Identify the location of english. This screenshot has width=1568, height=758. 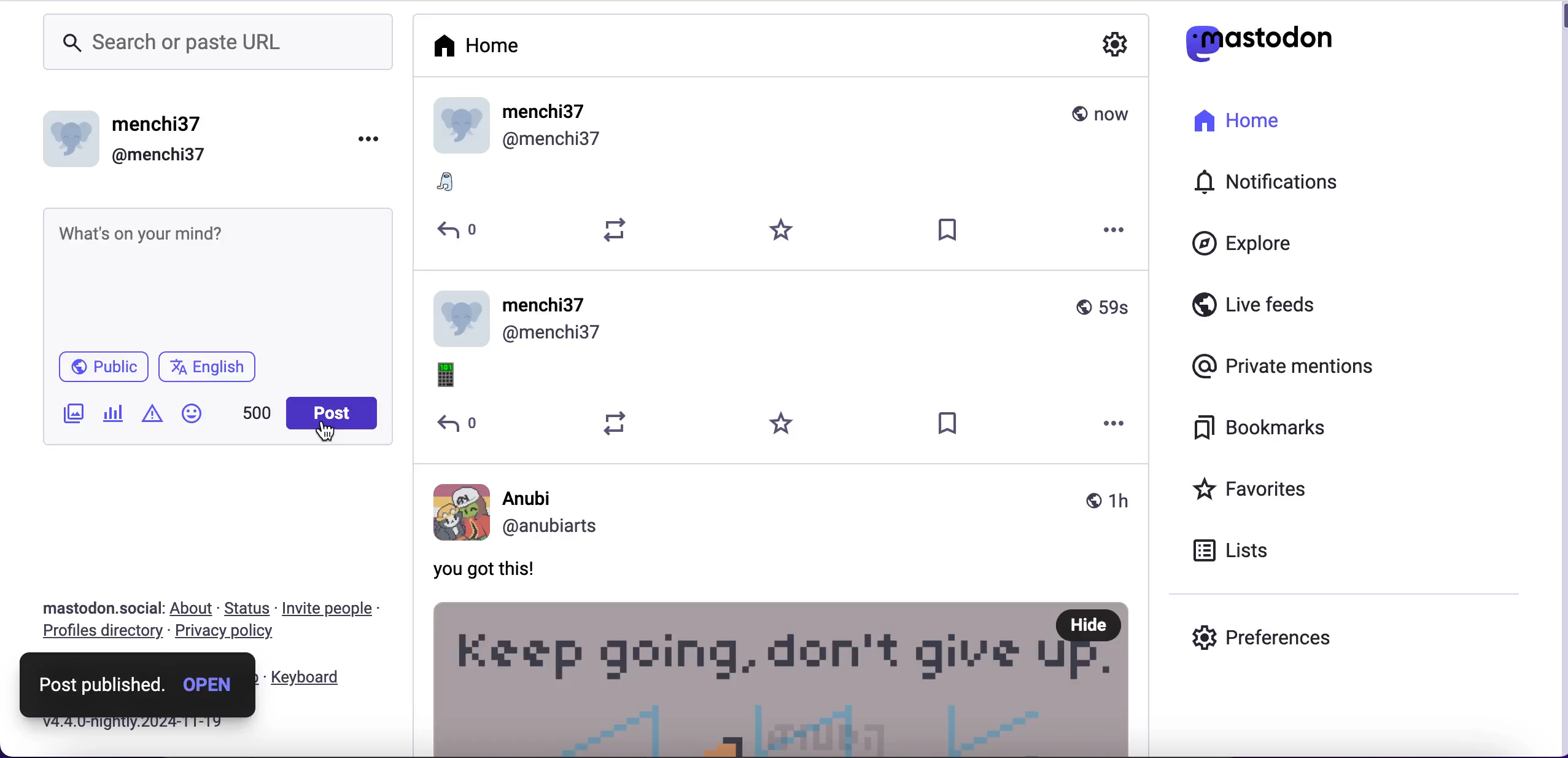
(209, 368).